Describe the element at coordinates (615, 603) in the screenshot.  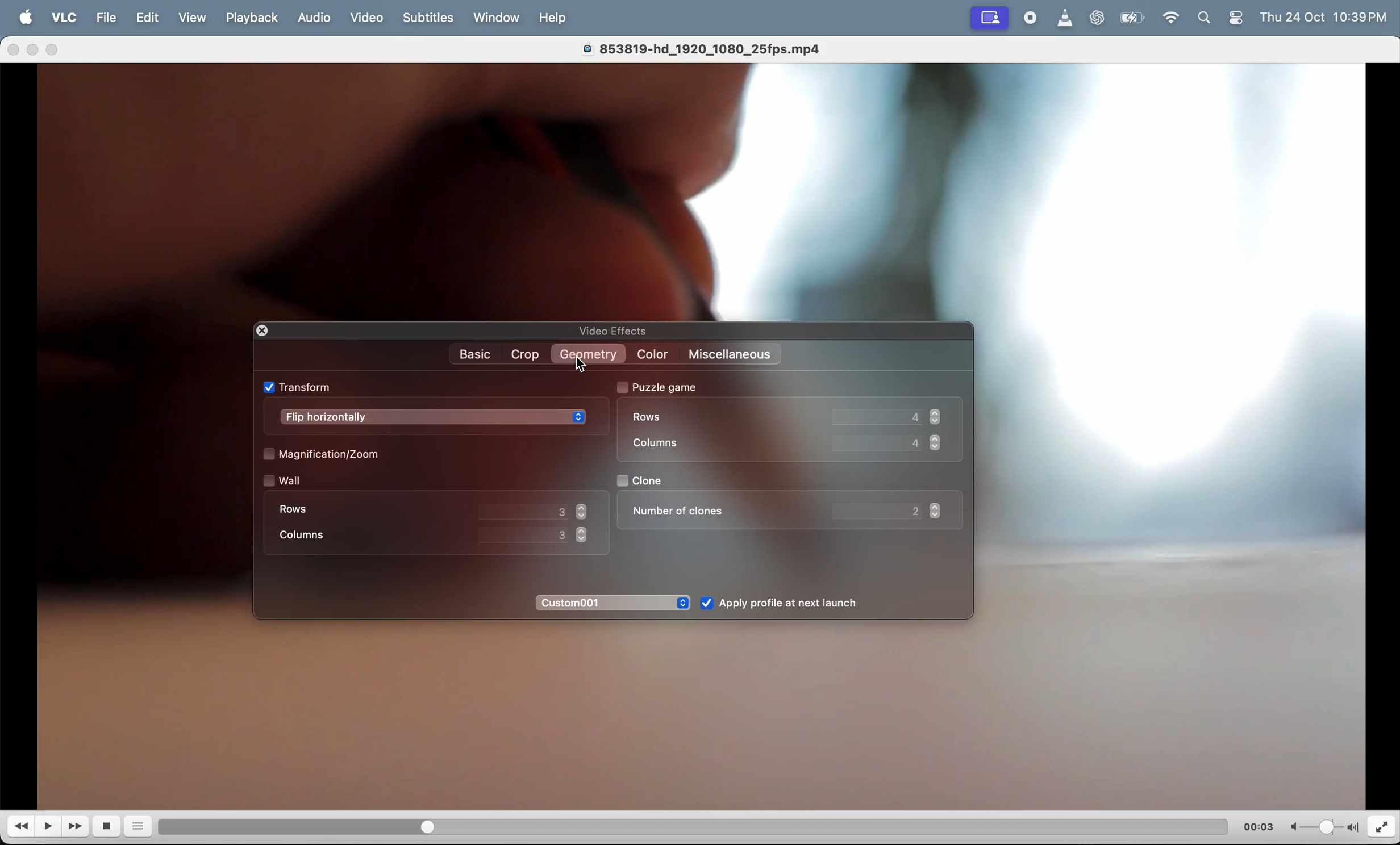
I see `custom 01` at that location.